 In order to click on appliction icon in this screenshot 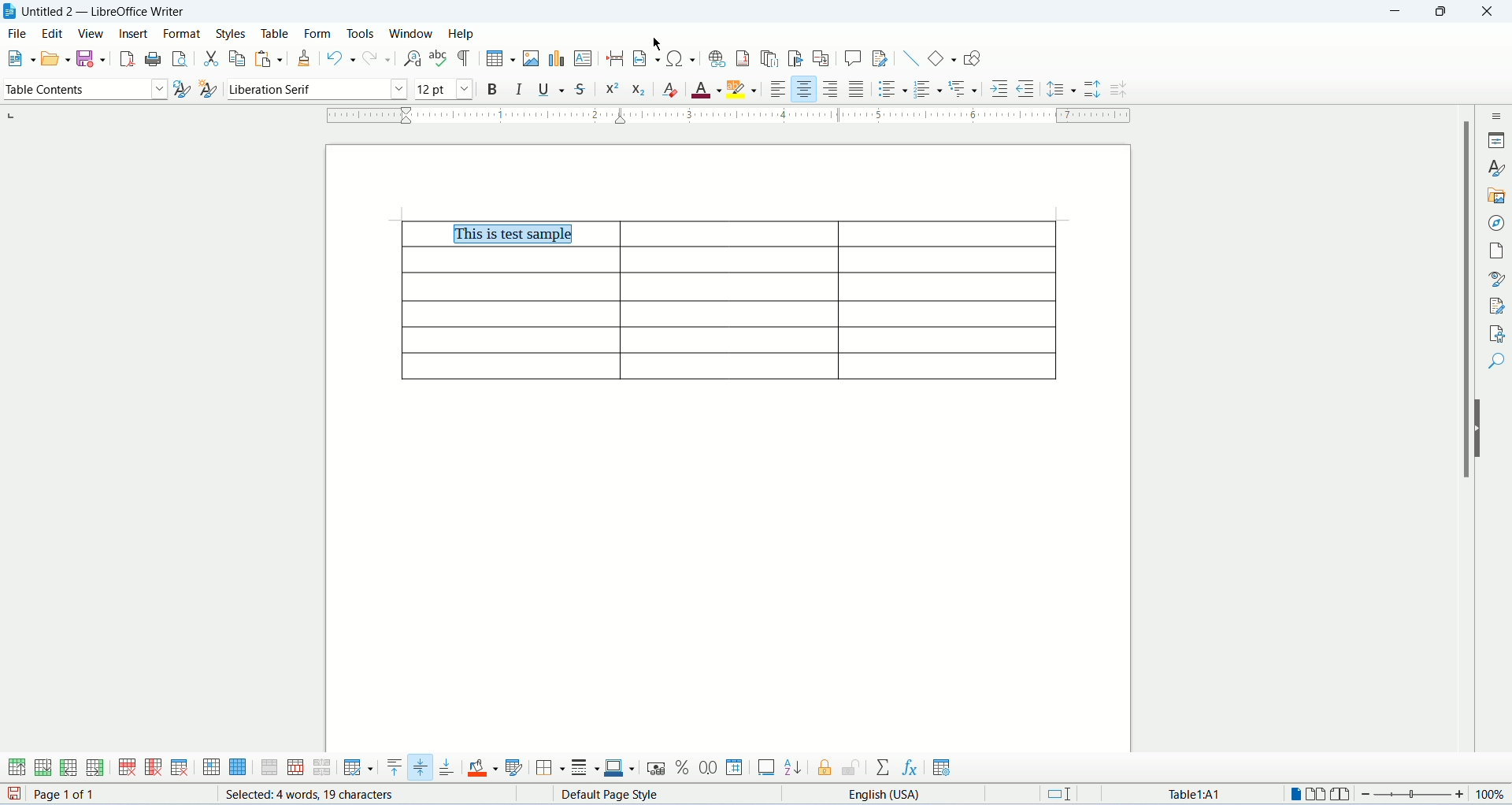, I will do `click(9, 11)`.